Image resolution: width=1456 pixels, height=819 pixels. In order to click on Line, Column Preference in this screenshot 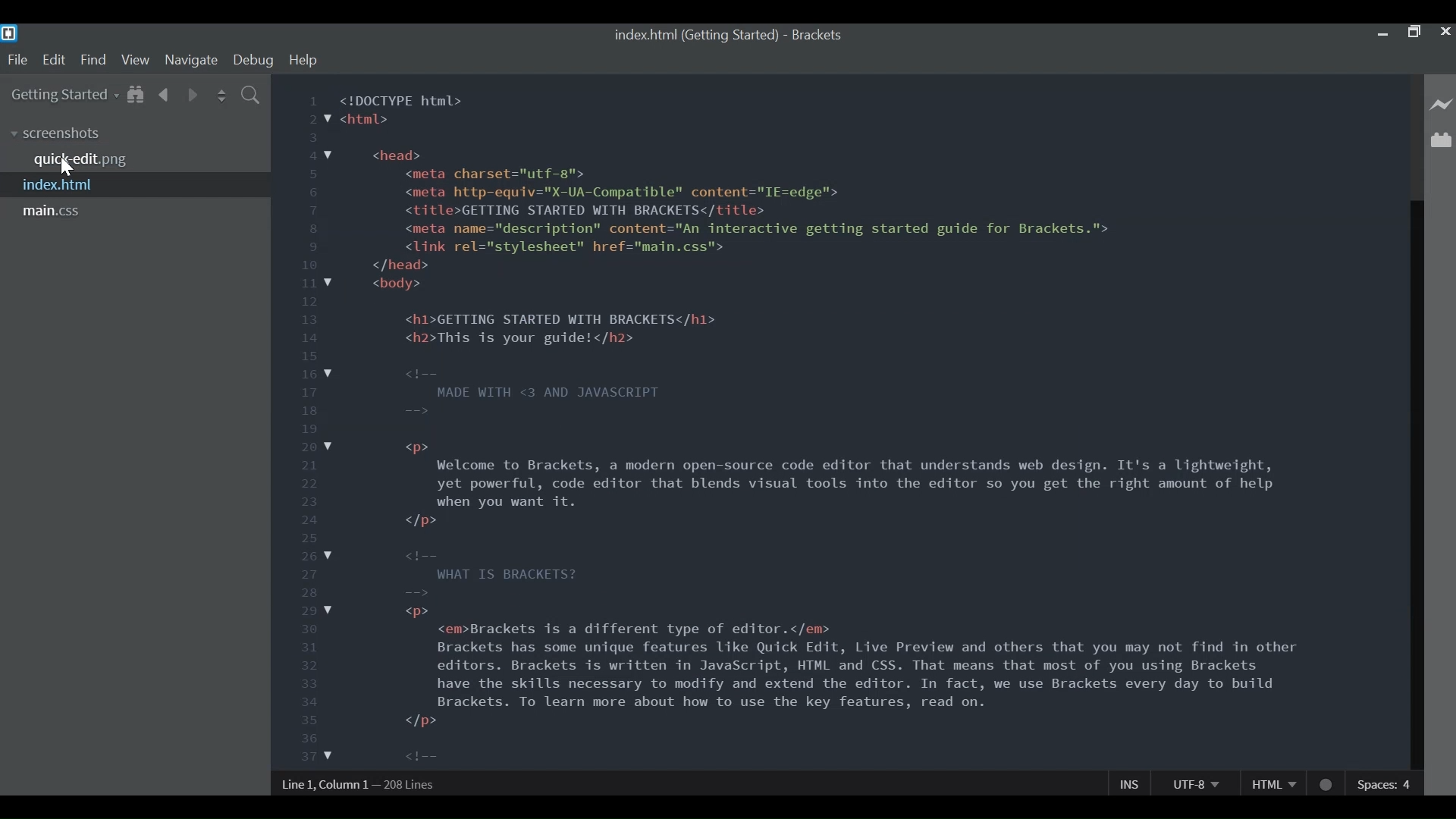, I will do `click(363, 783)`.